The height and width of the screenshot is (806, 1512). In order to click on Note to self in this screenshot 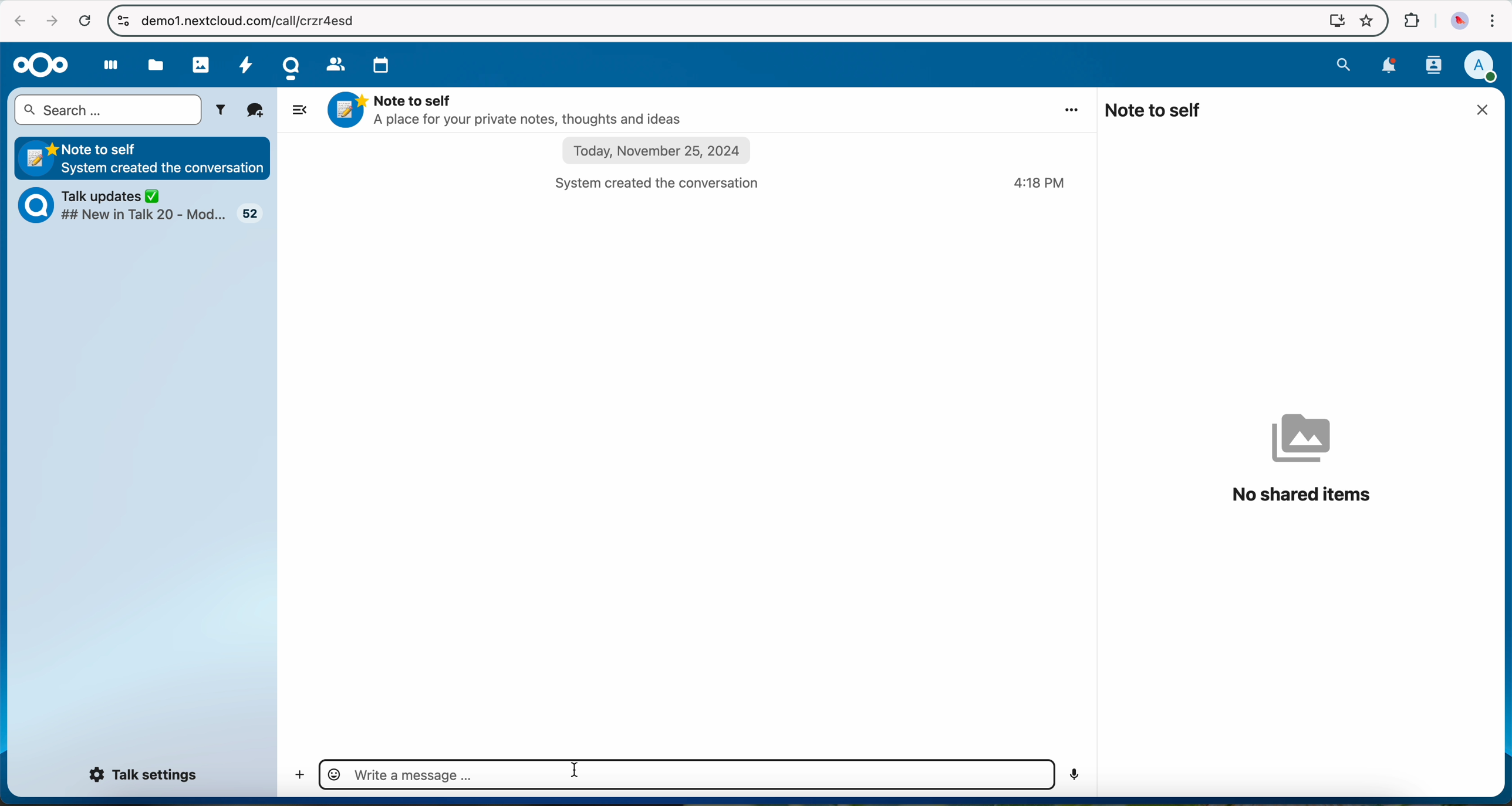, I will do `click(509, 110)`.